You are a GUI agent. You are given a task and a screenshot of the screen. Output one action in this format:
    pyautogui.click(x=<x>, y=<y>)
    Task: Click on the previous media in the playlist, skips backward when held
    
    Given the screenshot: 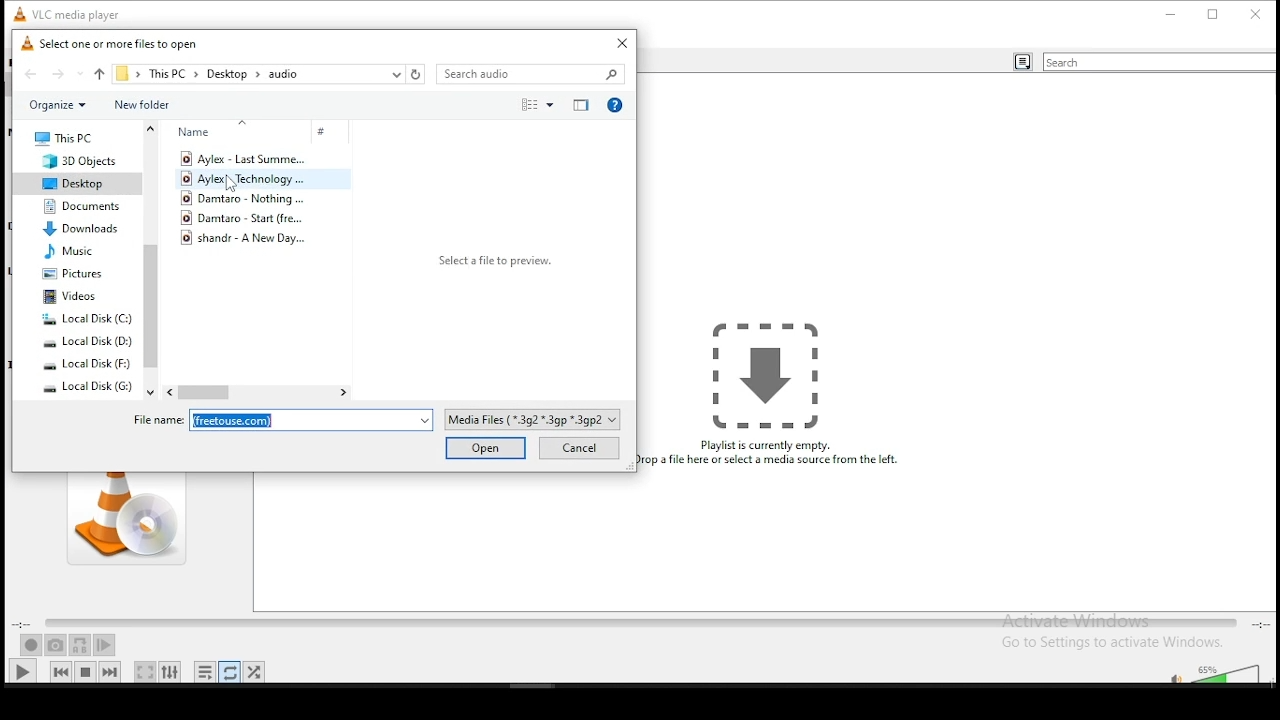 What is the action you would take?
    pyautogui.click(x=62, y=671)
    